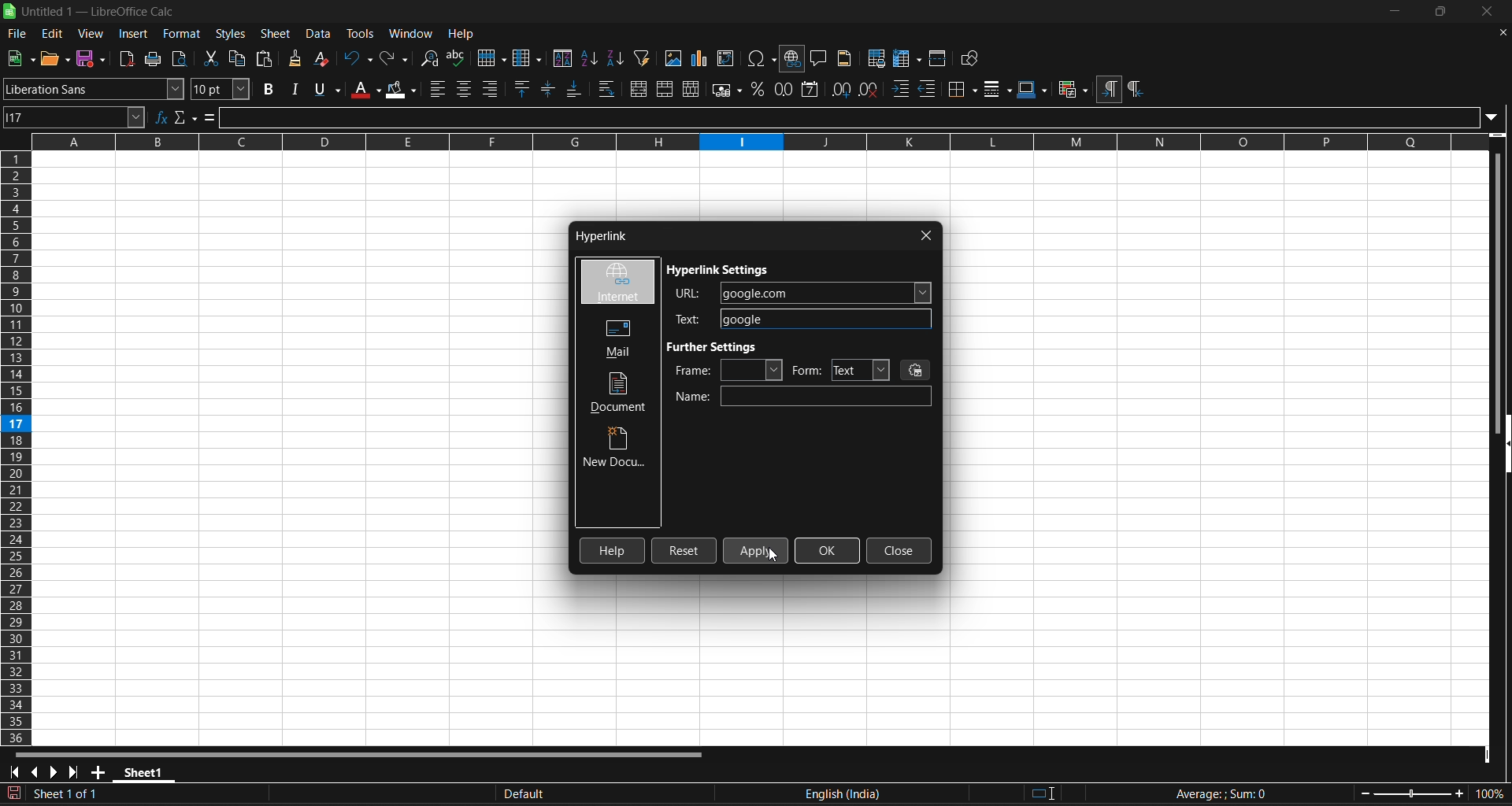 The height and width of the screenshot is (806, 1512). Describe the element at coordinates (907, 57) in the screenshot. I see `freeze row and column` at that location.